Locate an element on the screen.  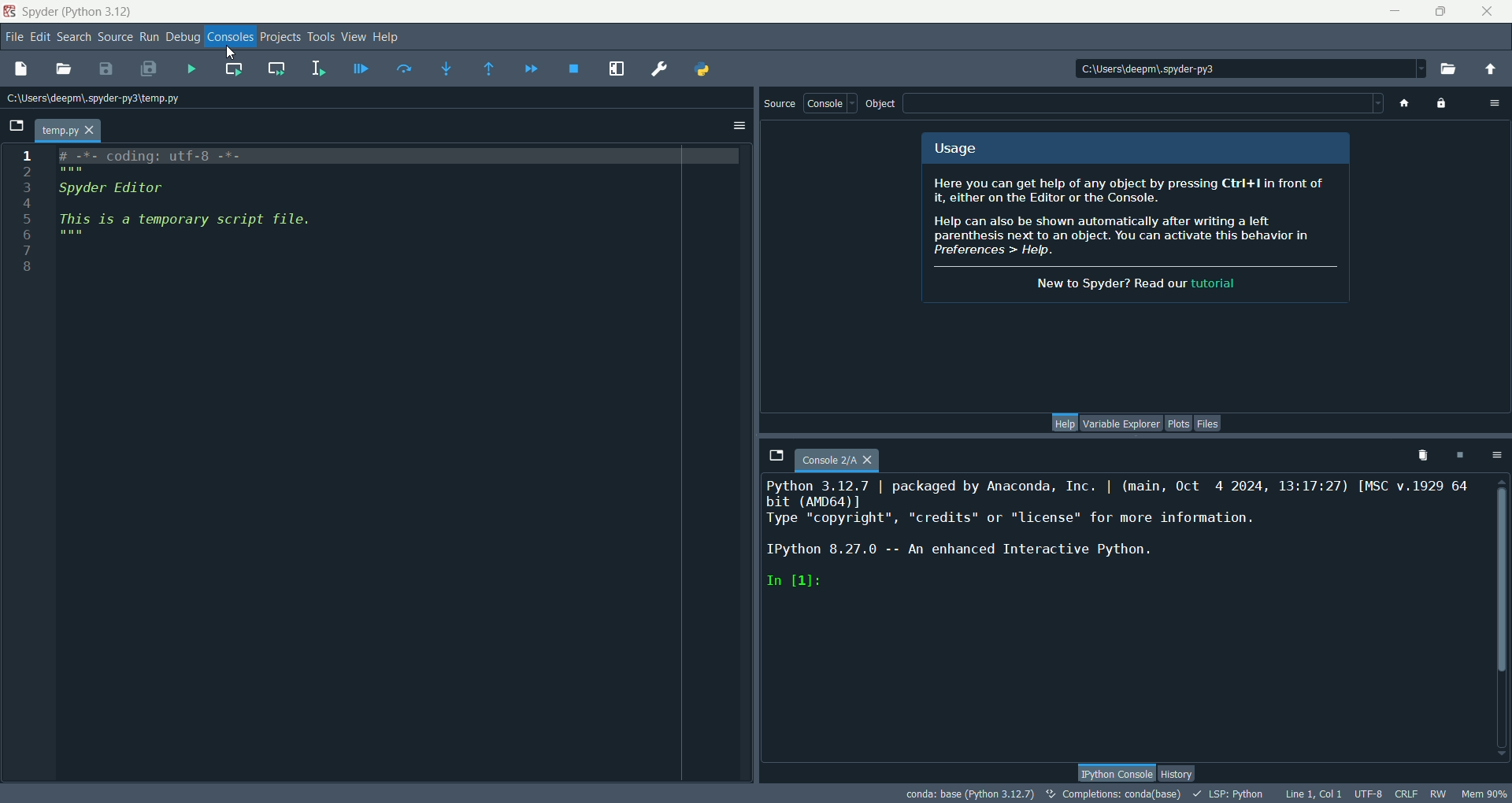
location is located at coordinates (94, 98).